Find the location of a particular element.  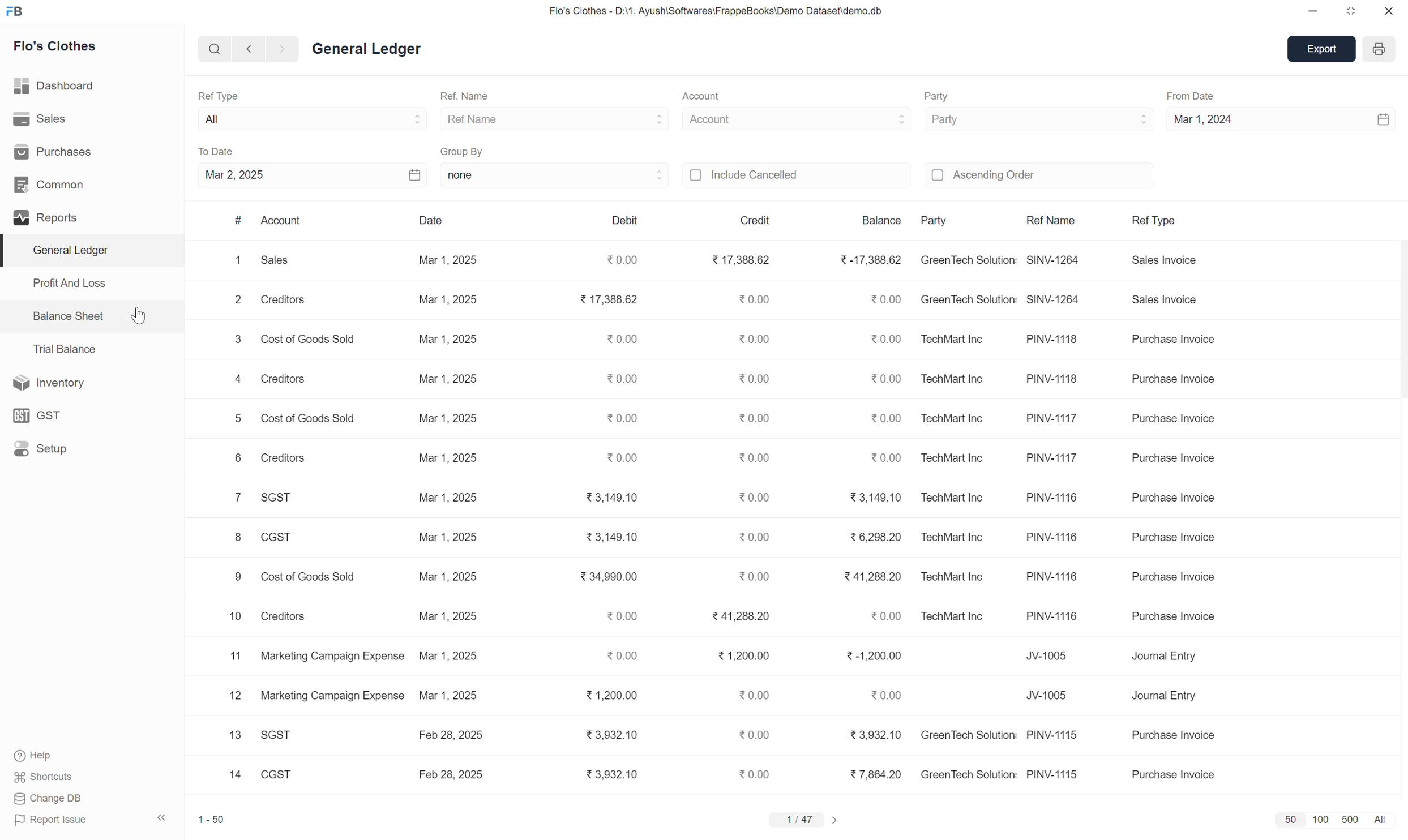

0.00 is located at coordinates (753, 497).